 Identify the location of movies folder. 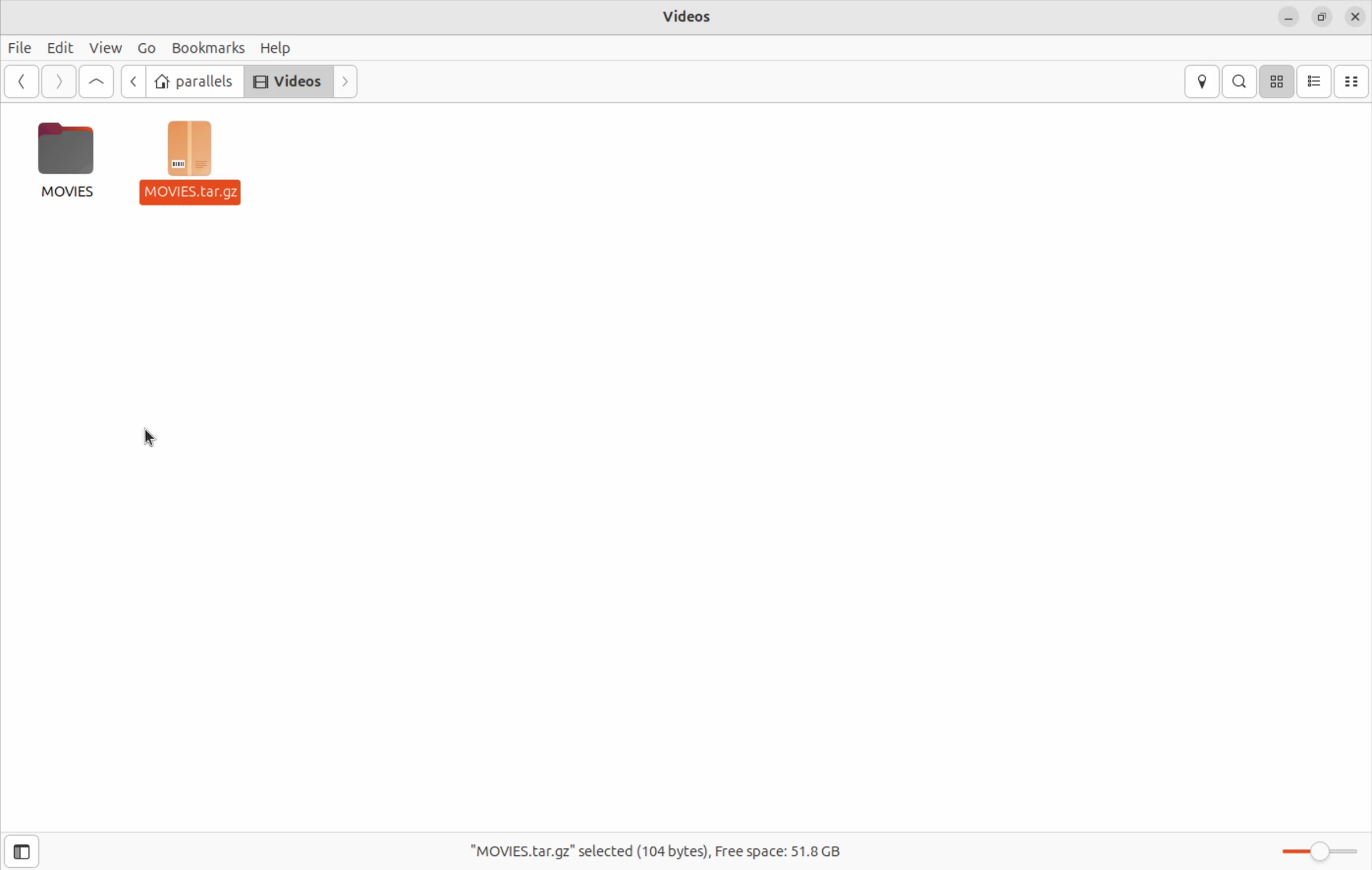
(71, 161).